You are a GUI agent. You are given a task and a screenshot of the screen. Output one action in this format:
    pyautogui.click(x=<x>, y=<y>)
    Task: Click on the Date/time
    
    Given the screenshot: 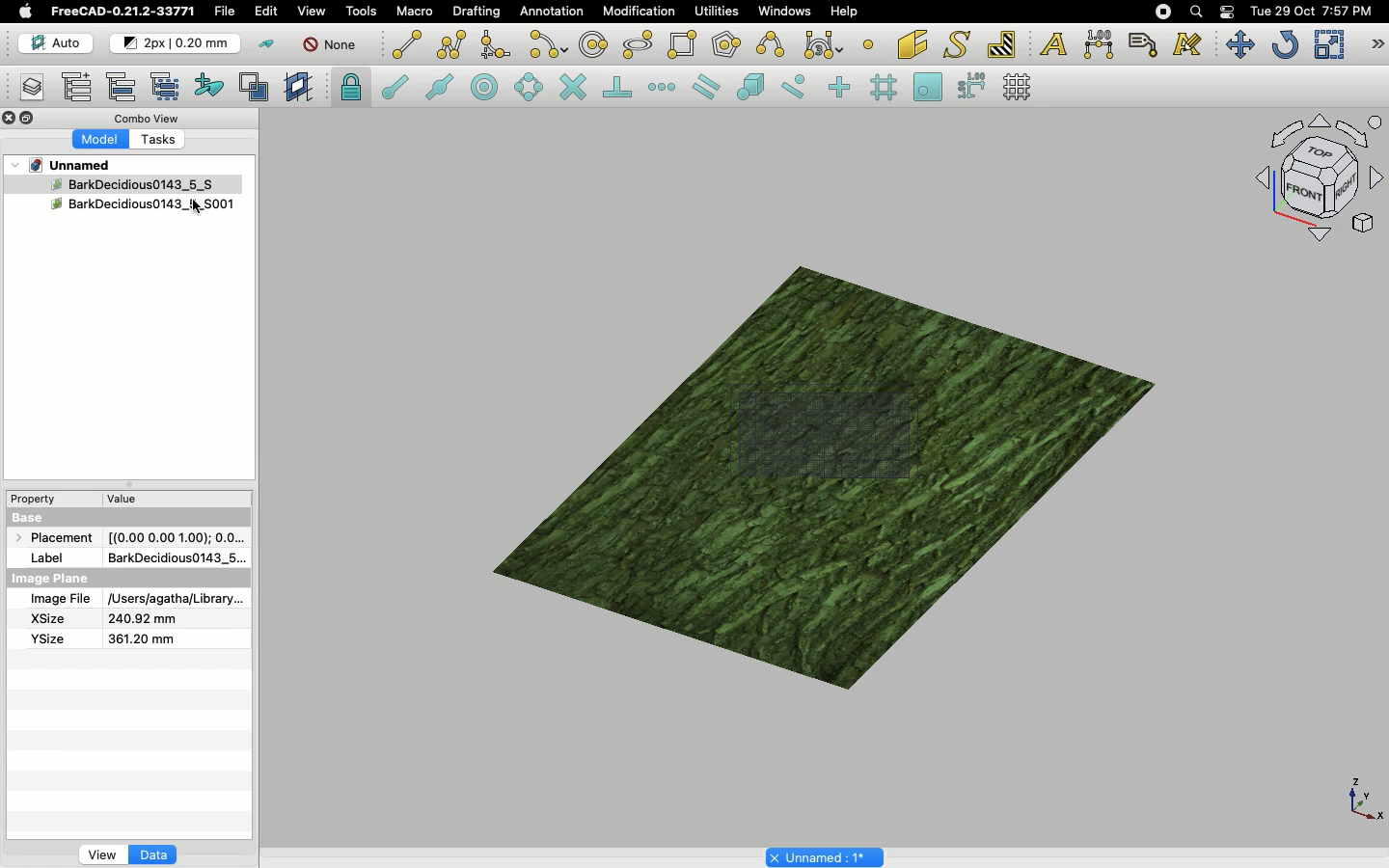 What is the action you would take?
    pyautogui.click(x=1311, y=10)
    